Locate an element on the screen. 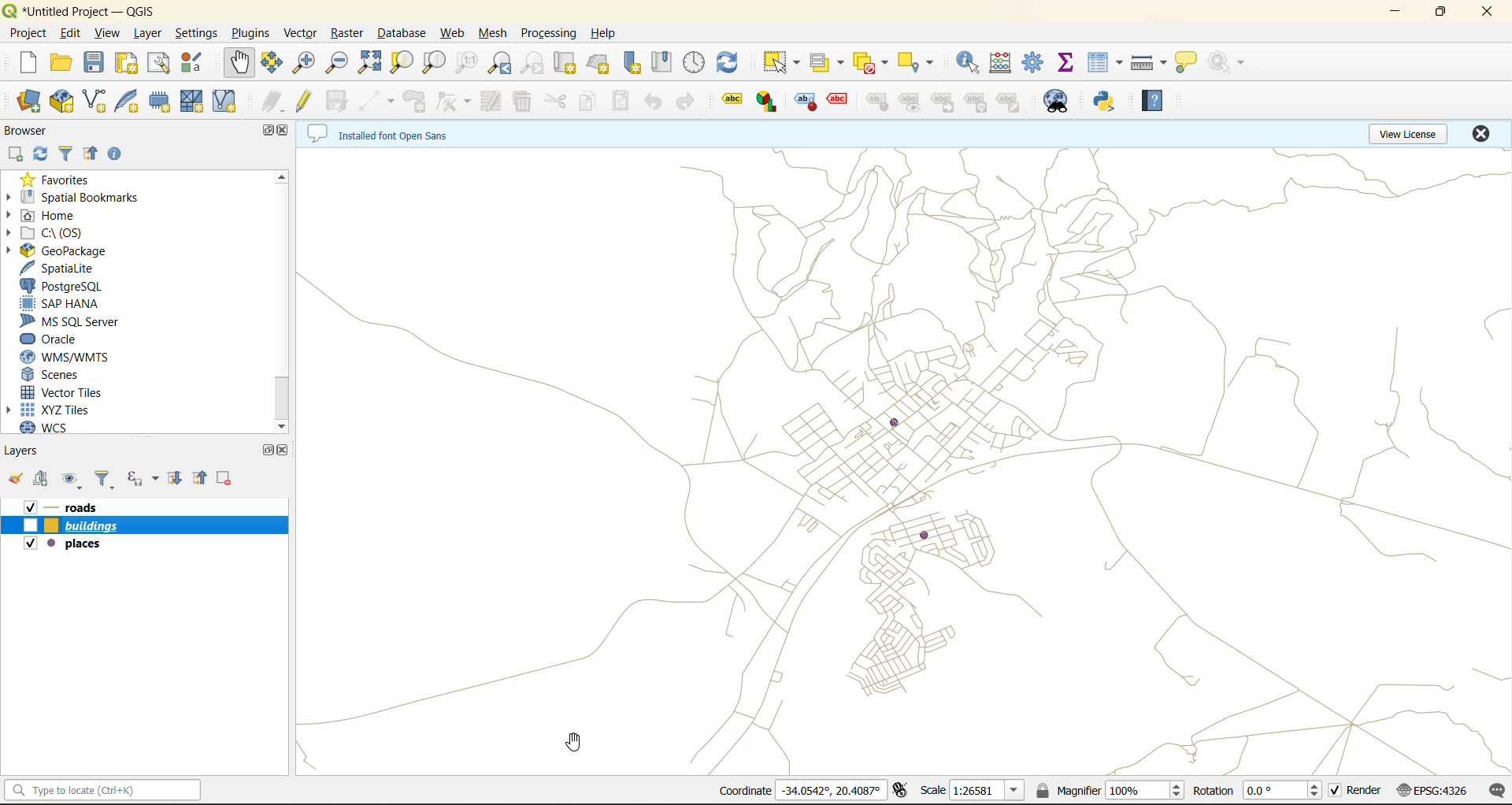 Image resolution: width=1512 pixels, height=805 pixels. new shapefile is located at coordinates (97, 98).